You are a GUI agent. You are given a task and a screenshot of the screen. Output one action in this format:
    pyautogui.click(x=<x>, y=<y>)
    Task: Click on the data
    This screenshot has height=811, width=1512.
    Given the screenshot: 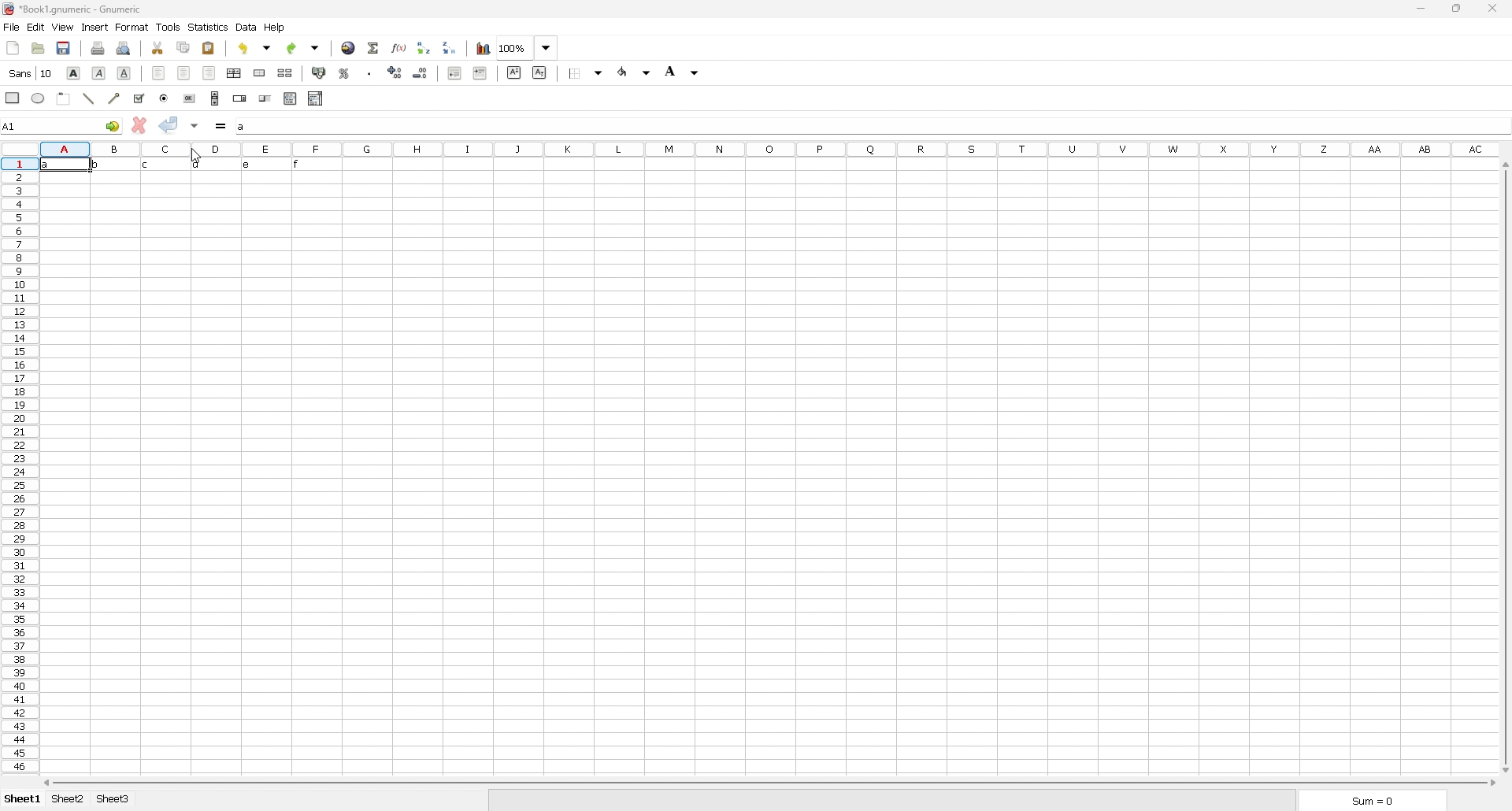 What is the action you would take?
    pyautogui.click(x=192, y=165)
    